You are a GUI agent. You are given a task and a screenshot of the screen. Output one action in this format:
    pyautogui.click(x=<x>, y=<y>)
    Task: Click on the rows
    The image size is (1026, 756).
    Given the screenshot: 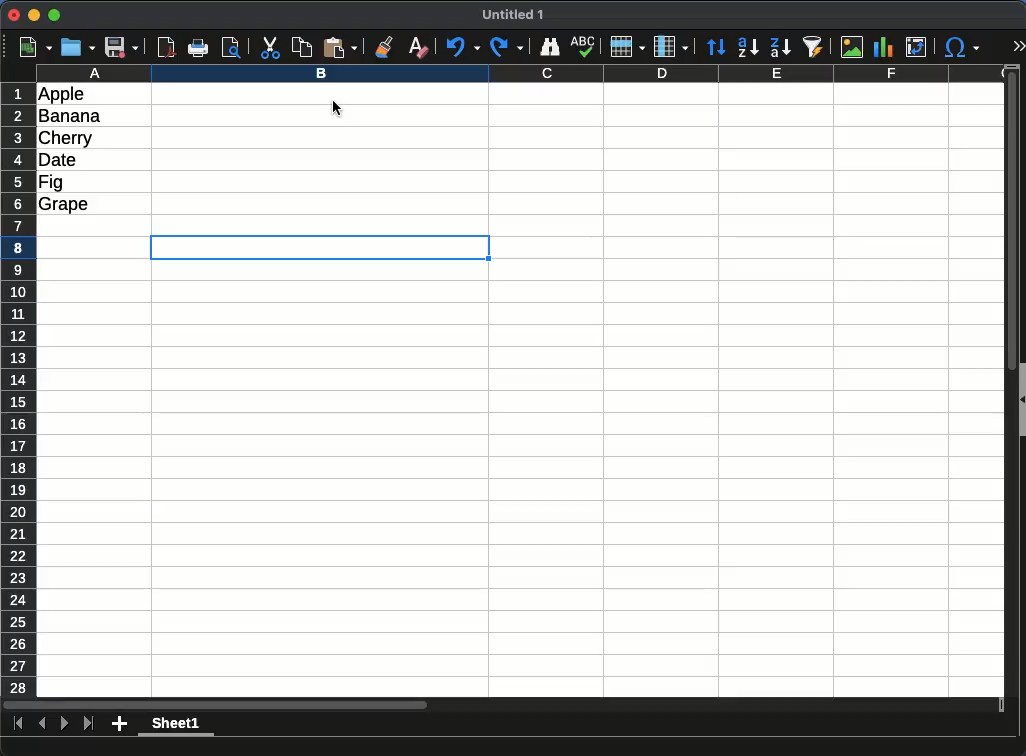 What is the action you would take?
    pyautogui.click(x=19, y=390)
    